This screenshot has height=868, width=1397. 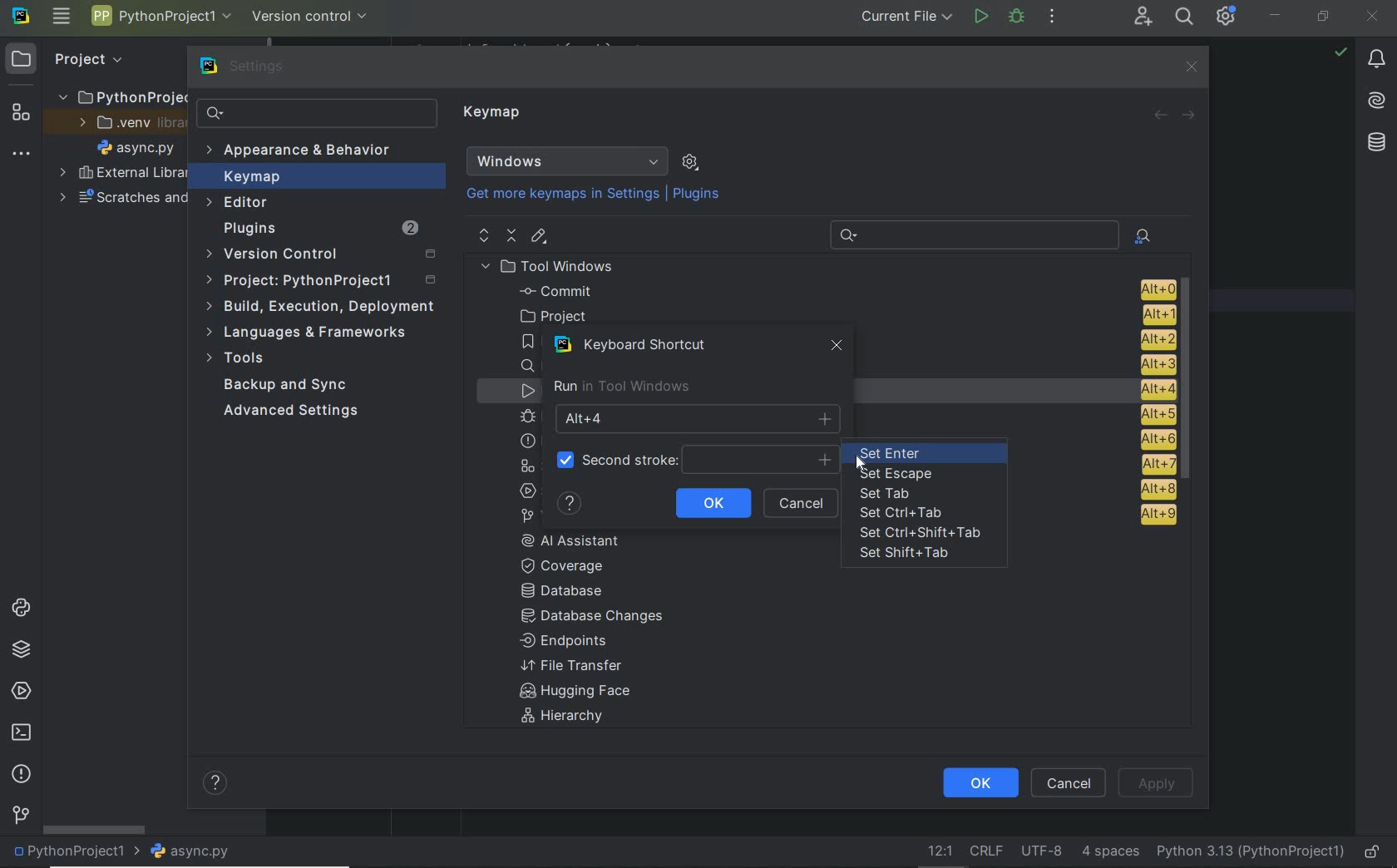 I want to click on alt + 4, so click(x=1150, y=389).